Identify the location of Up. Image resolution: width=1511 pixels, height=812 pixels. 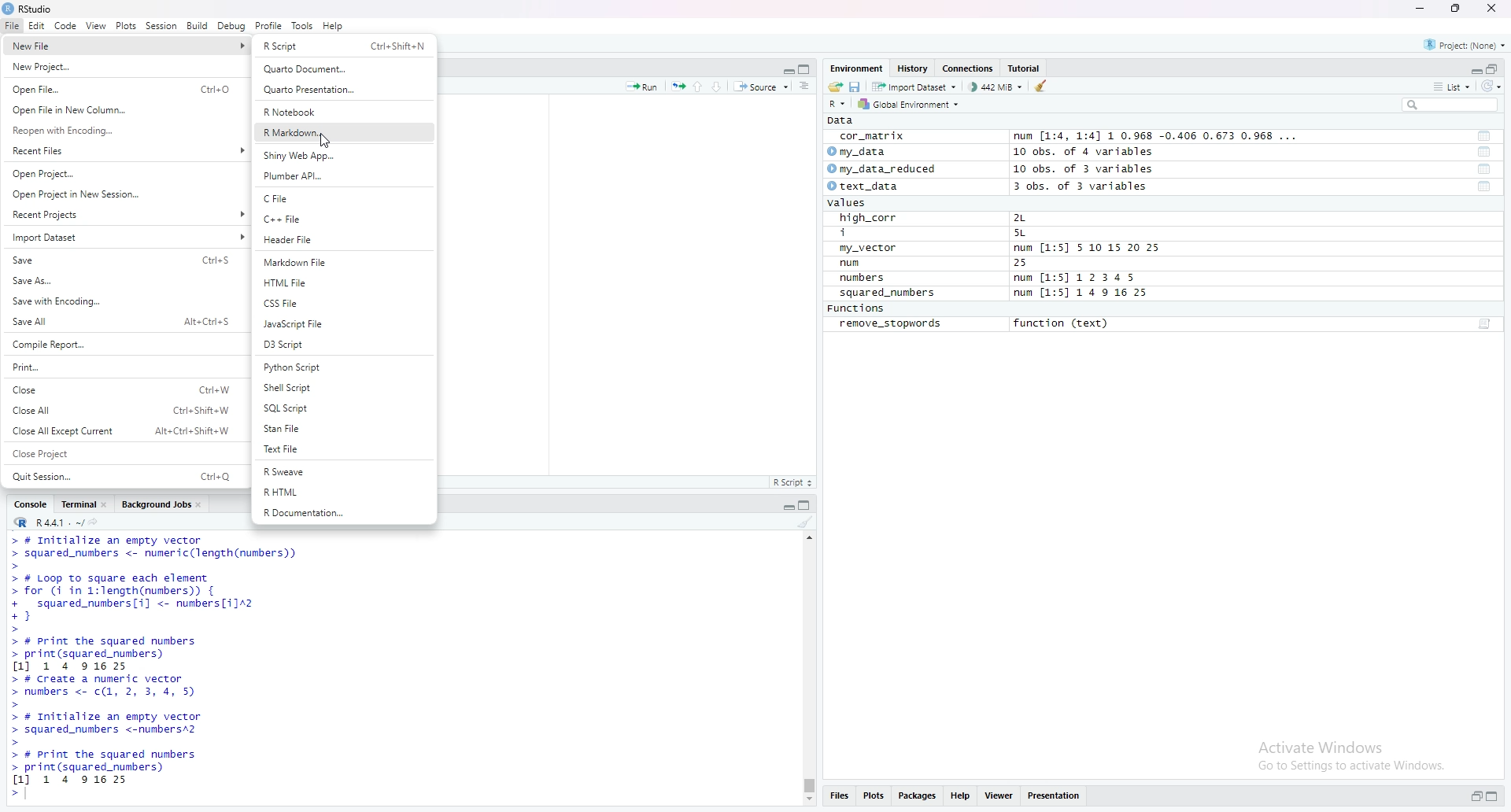
(702, 86).